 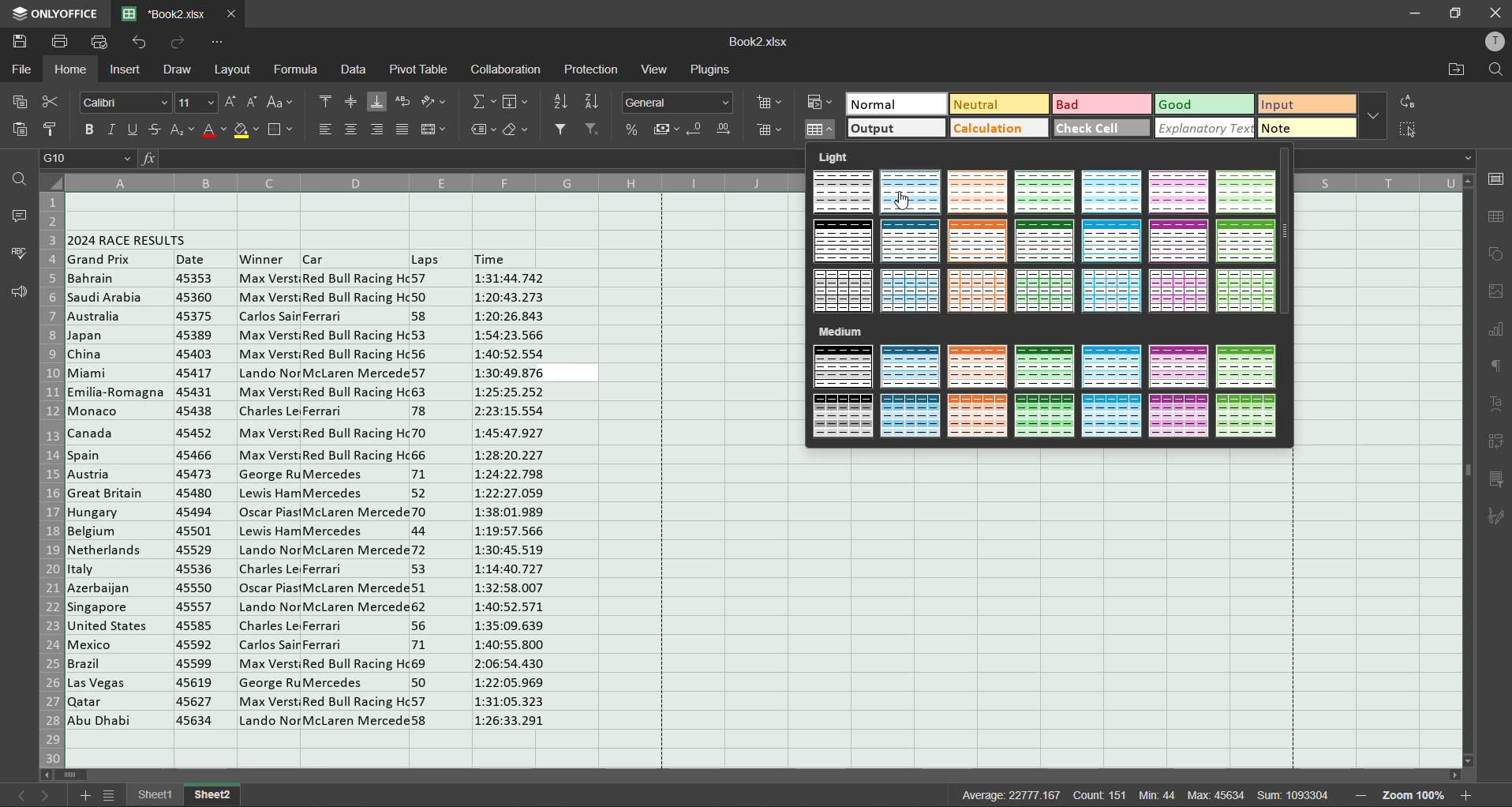 What do you see at coordinates (196, 259) in the screenshot?
I see `date` at bounding box center [196, 259].